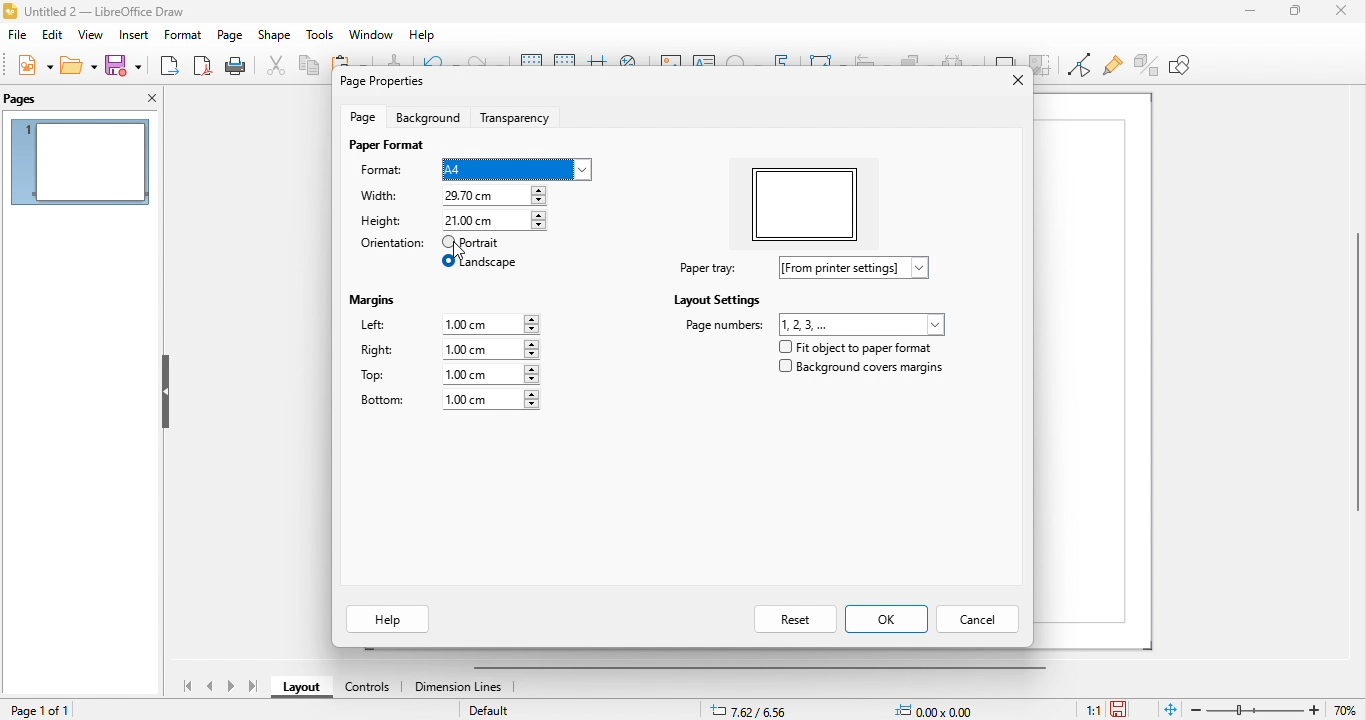 This screenshot has width=1366, height=720. What do you see at coordinates (391, 245) in the screenshot?
I see `orientation` at bounding box center [391, 245].